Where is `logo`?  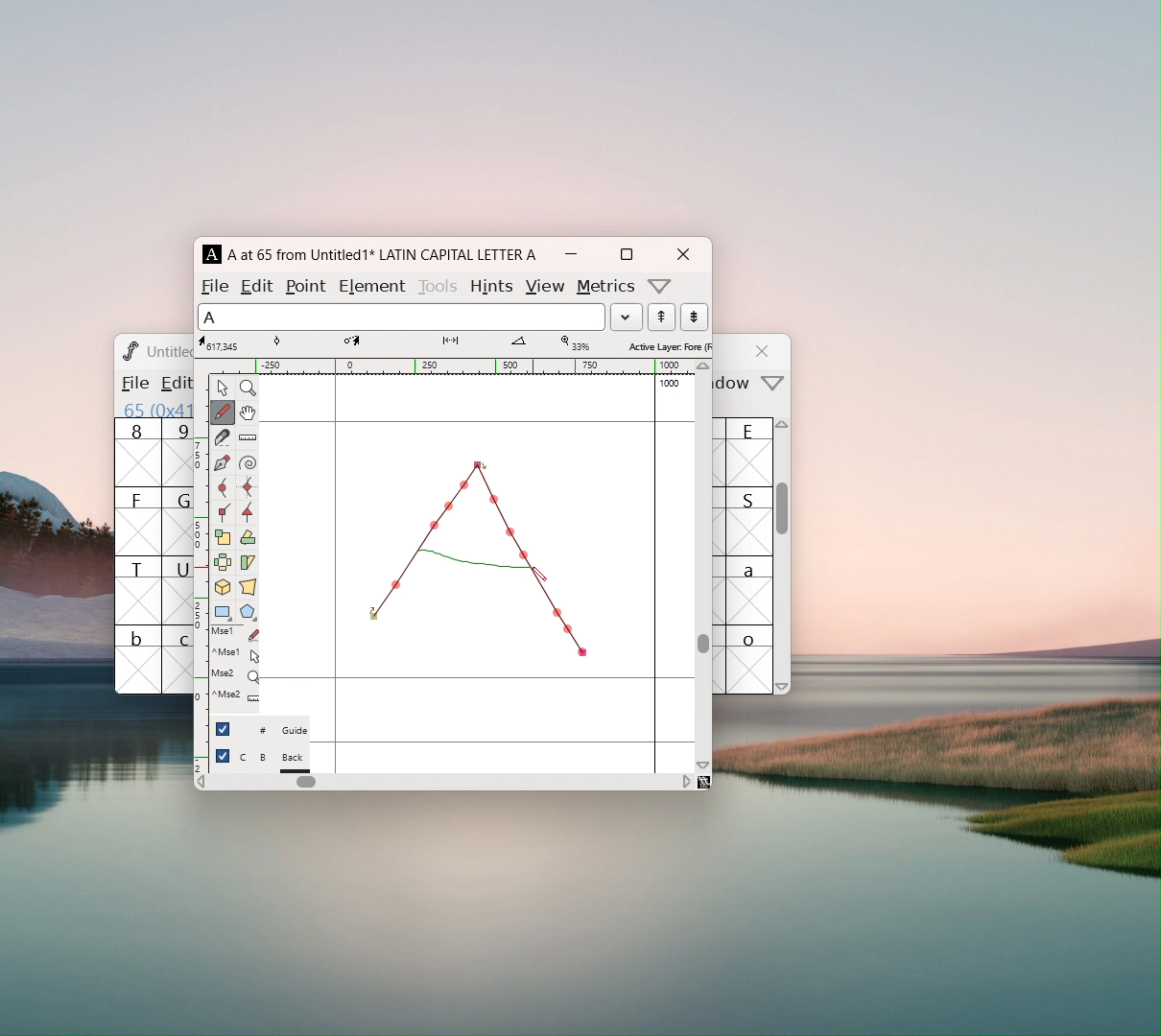
logo is located at coordinates (129, 350).